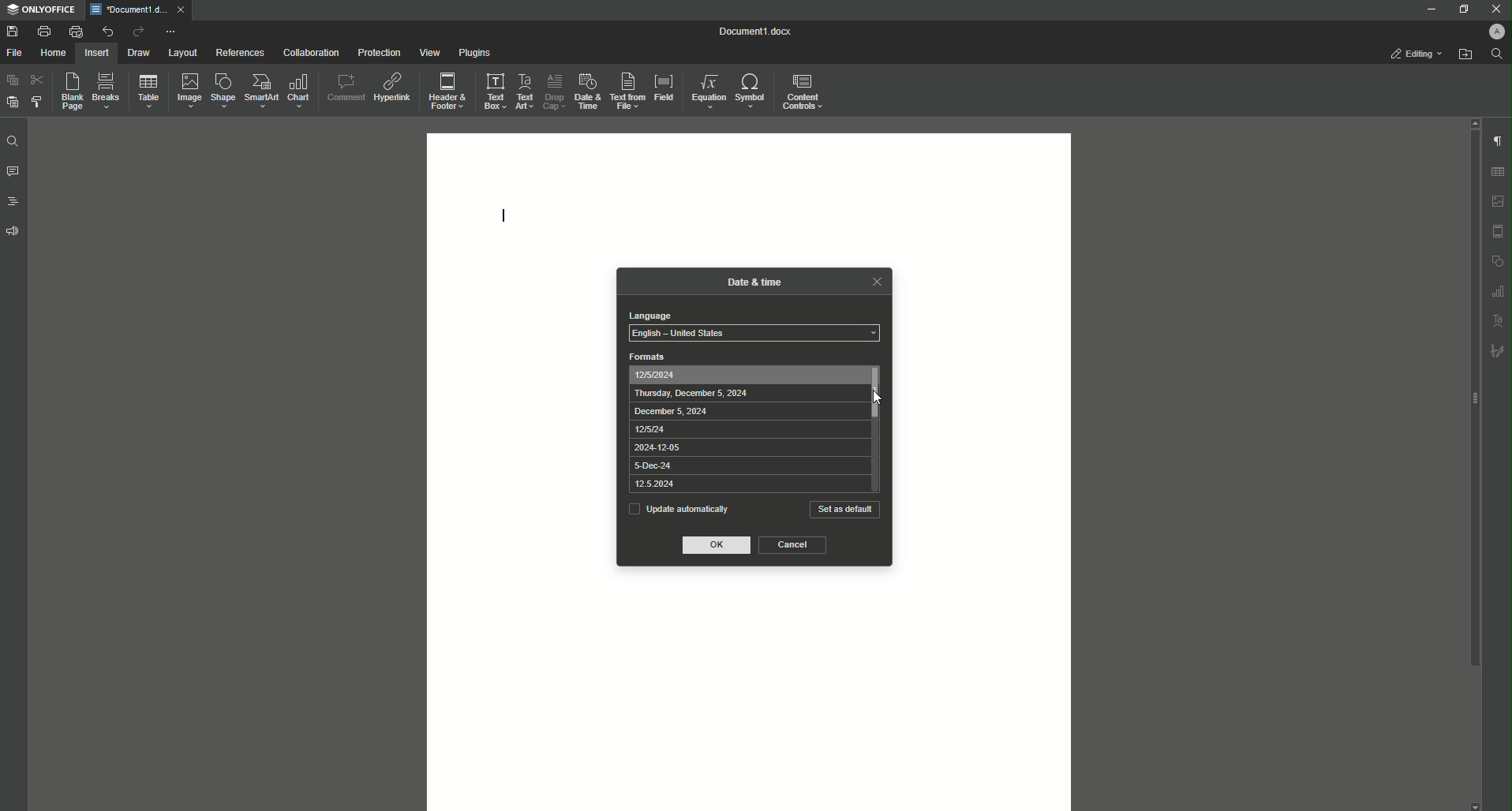 This screenshot has width=1512, height=811. What do you see at coordinates (12, 141) in the screenshot?
I see `Find` at bounding box center [12, 141].